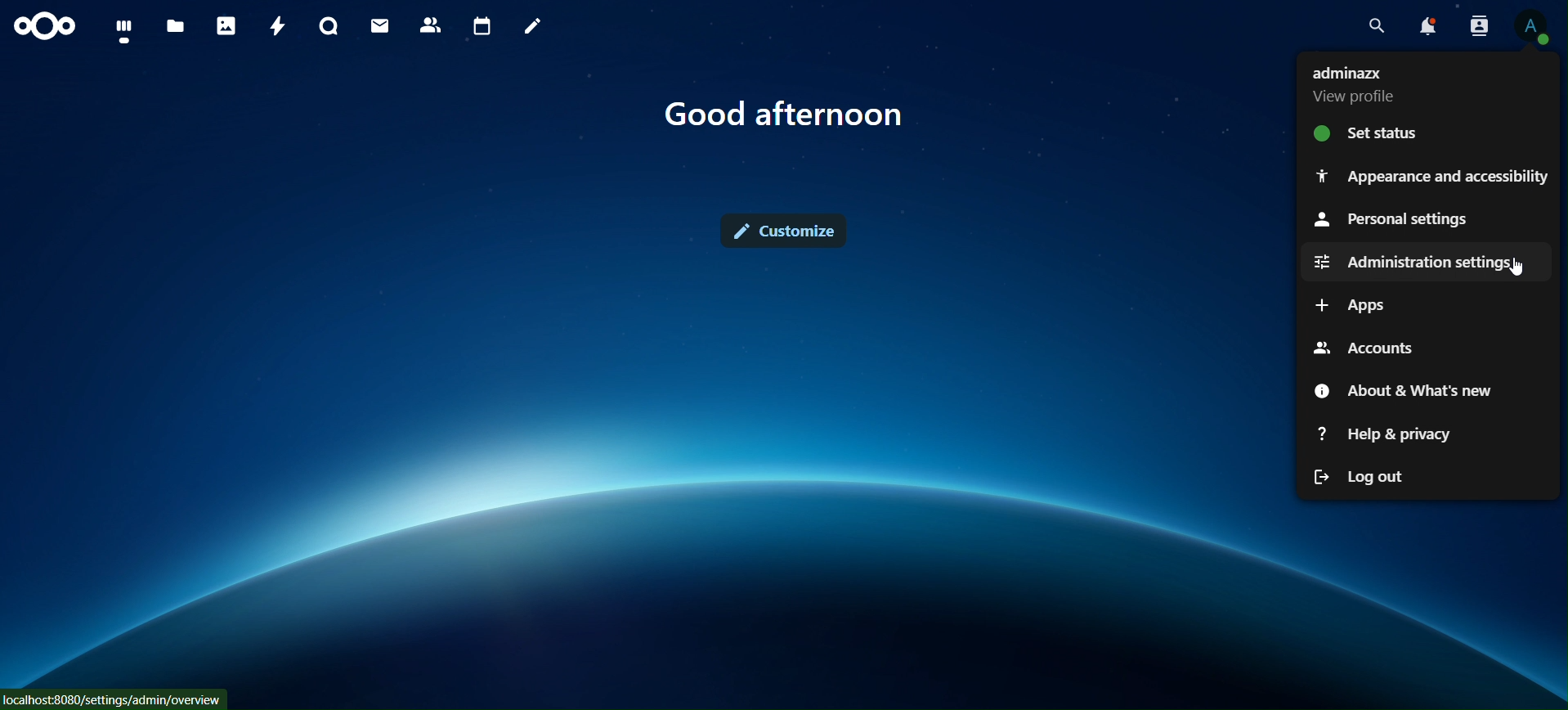 The height and width of the screenshot is (710, 1568). Describe the element at coordinates (1362, 132) in the screenshot. I see `set status` at that location.